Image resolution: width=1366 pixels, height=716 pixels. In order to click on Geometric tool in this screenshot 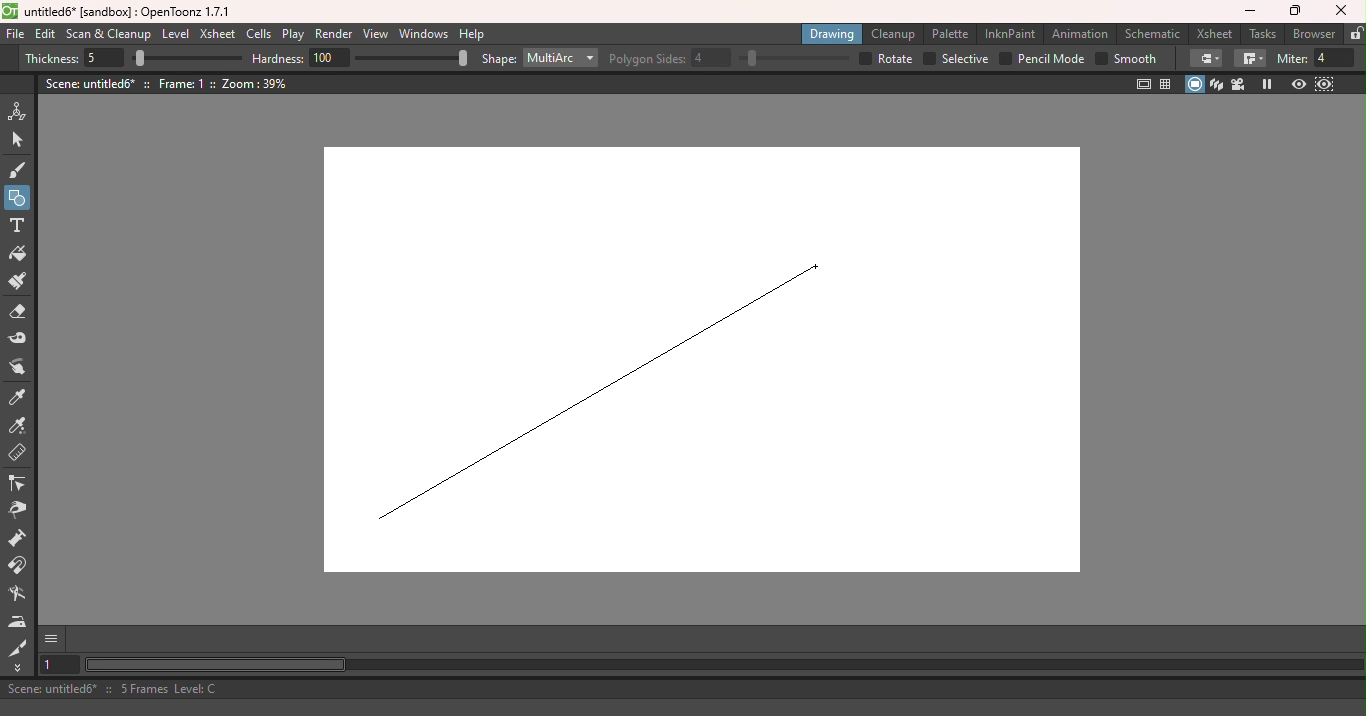, I will do `click(18, 198)`.